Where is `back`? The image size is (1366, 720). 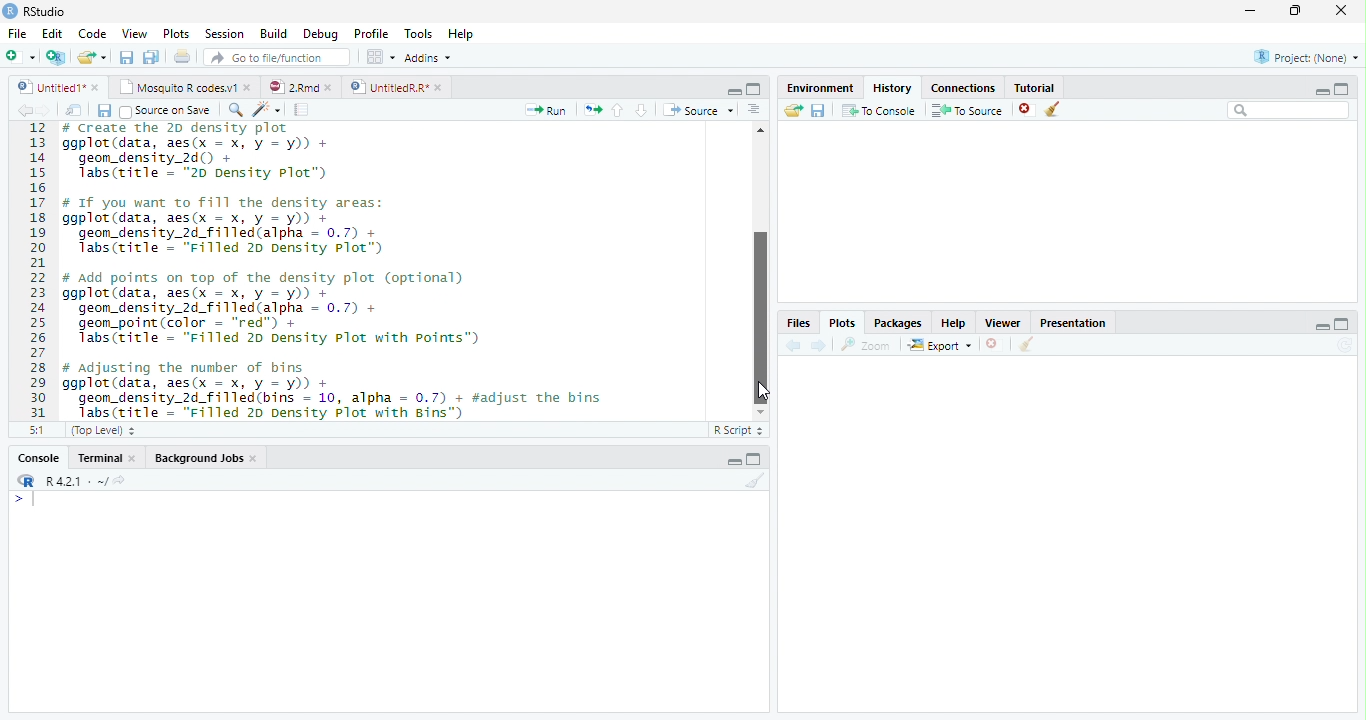
back is located at coordinates (20, 110).